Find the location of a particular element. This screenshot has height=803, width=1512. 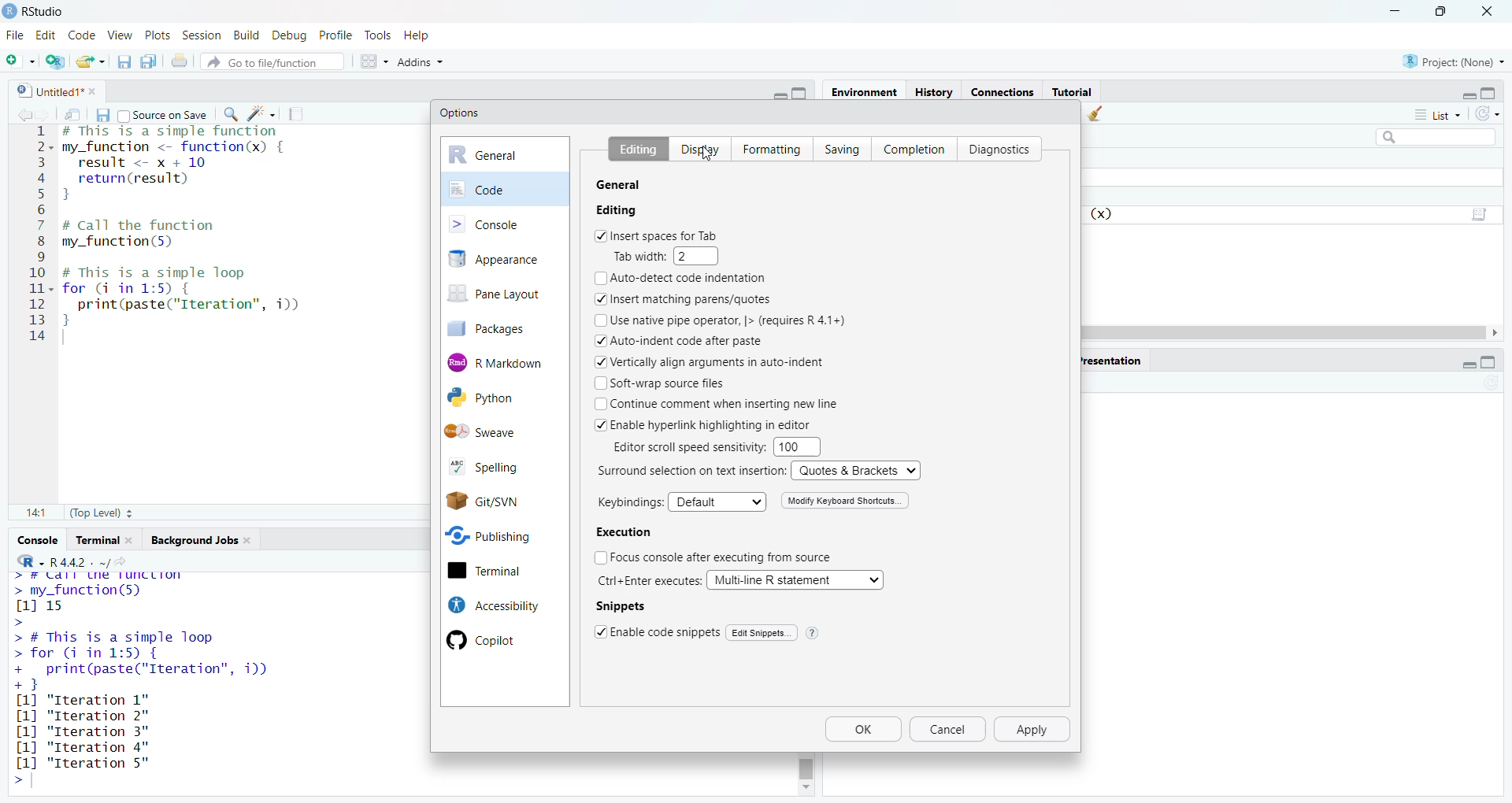

typing cursor is located at coordinates (69, 339).